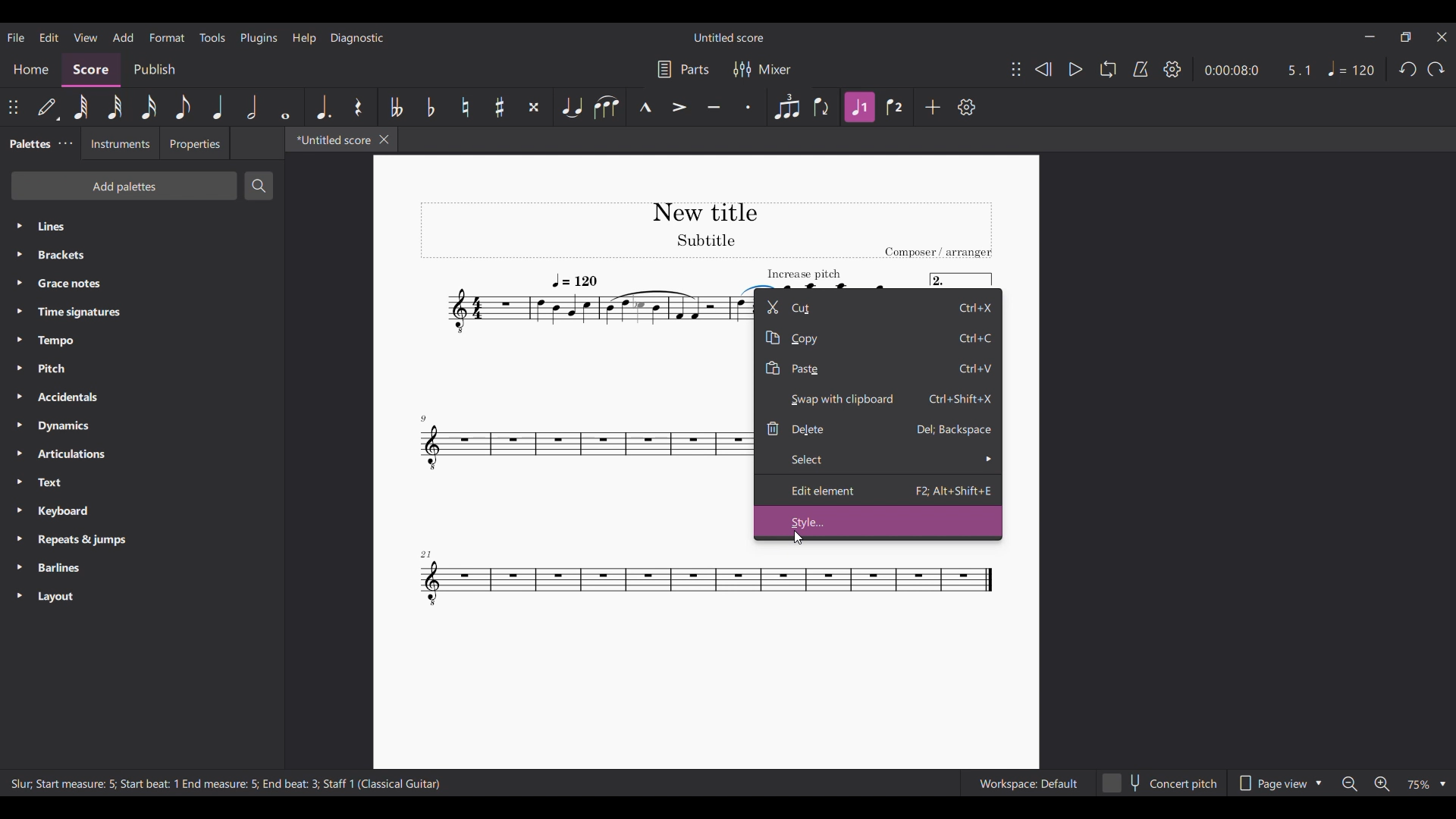  Describe the element at coordinates (1016, 69) in the screenshot. I see `Change position` at that location.